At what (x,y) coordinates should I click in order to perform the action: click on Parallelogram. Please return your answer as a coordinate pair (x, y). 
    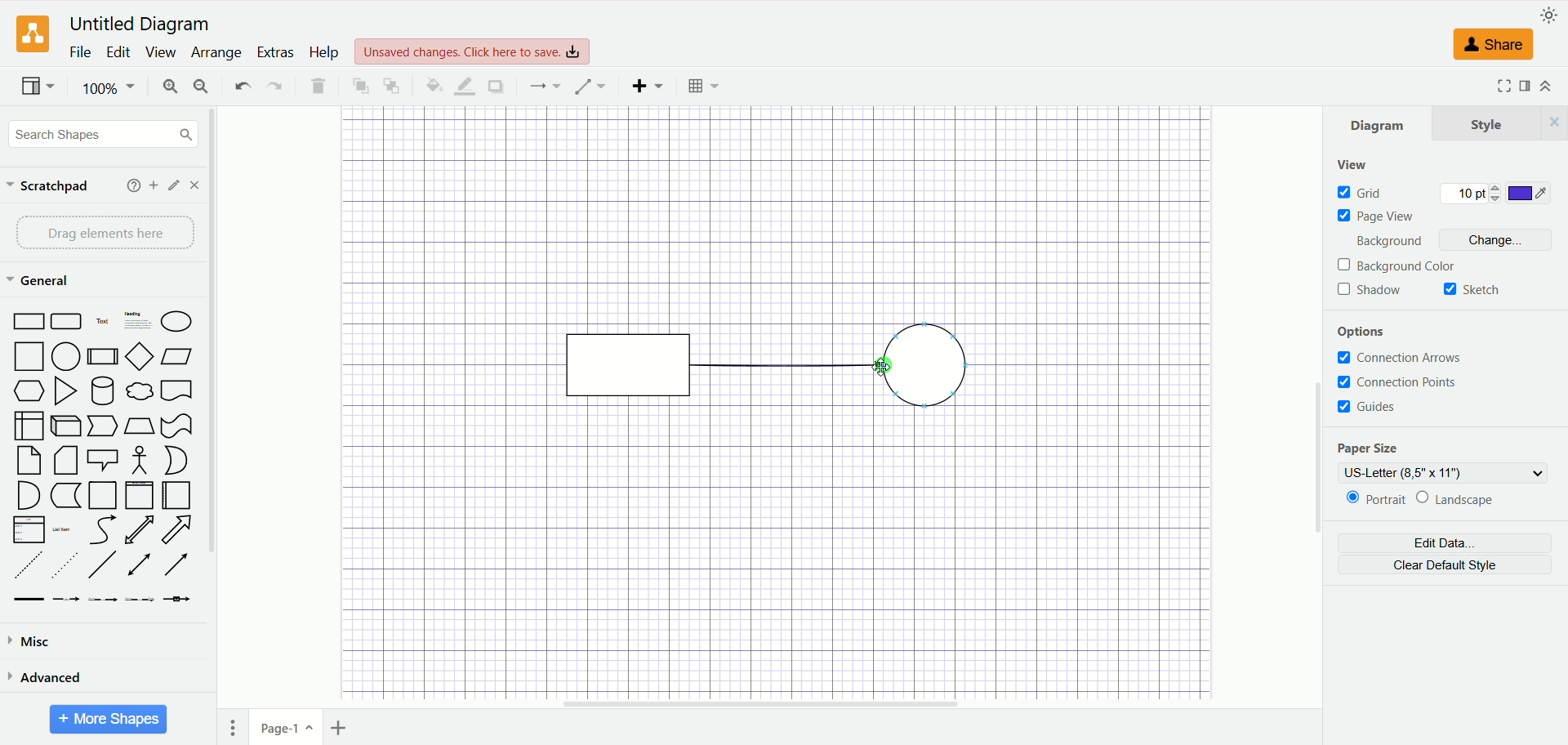
    Looking at the image, I should click on (176, 356).